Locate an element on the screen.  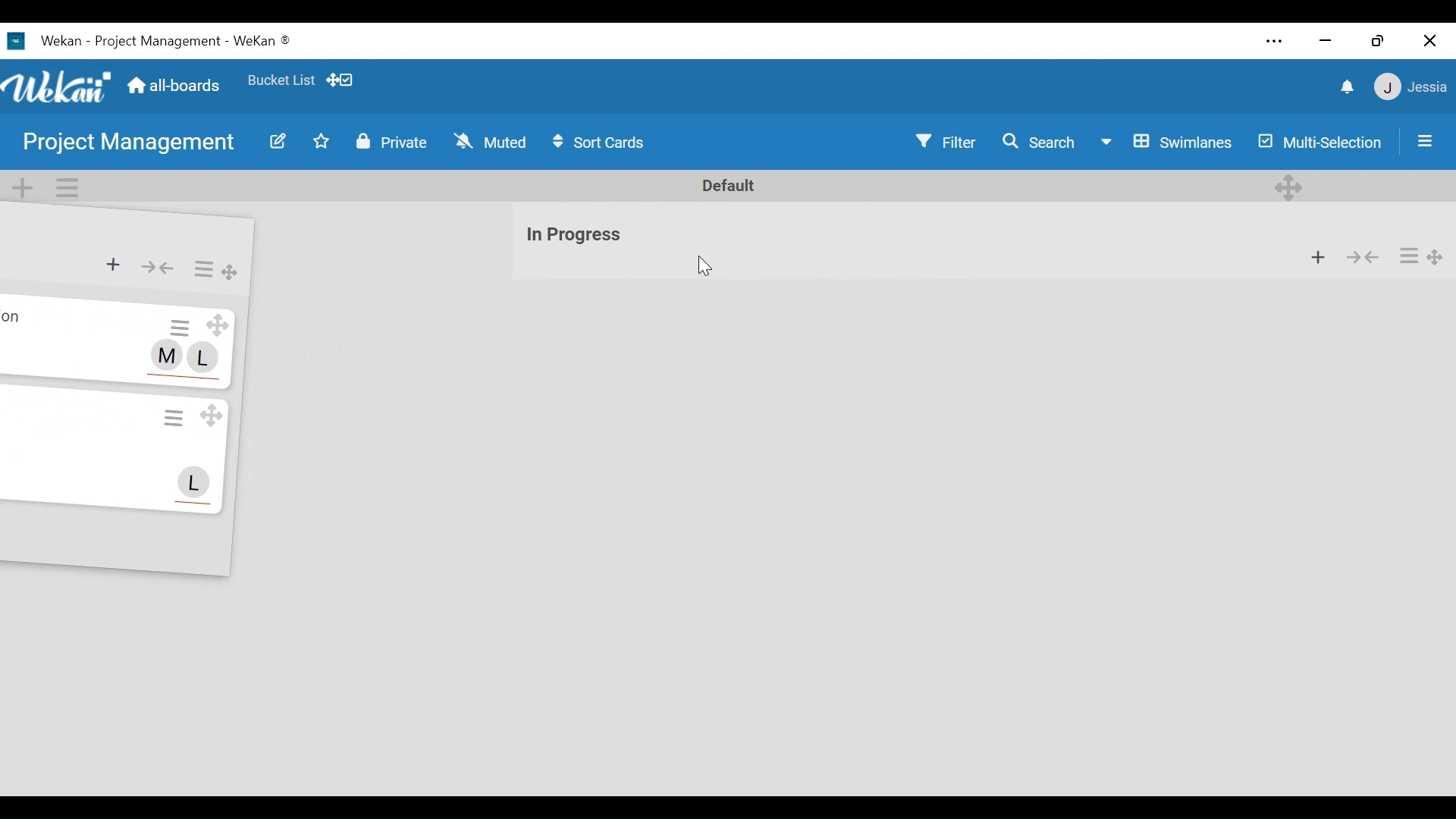
close is located at coordinates (1427, 40).